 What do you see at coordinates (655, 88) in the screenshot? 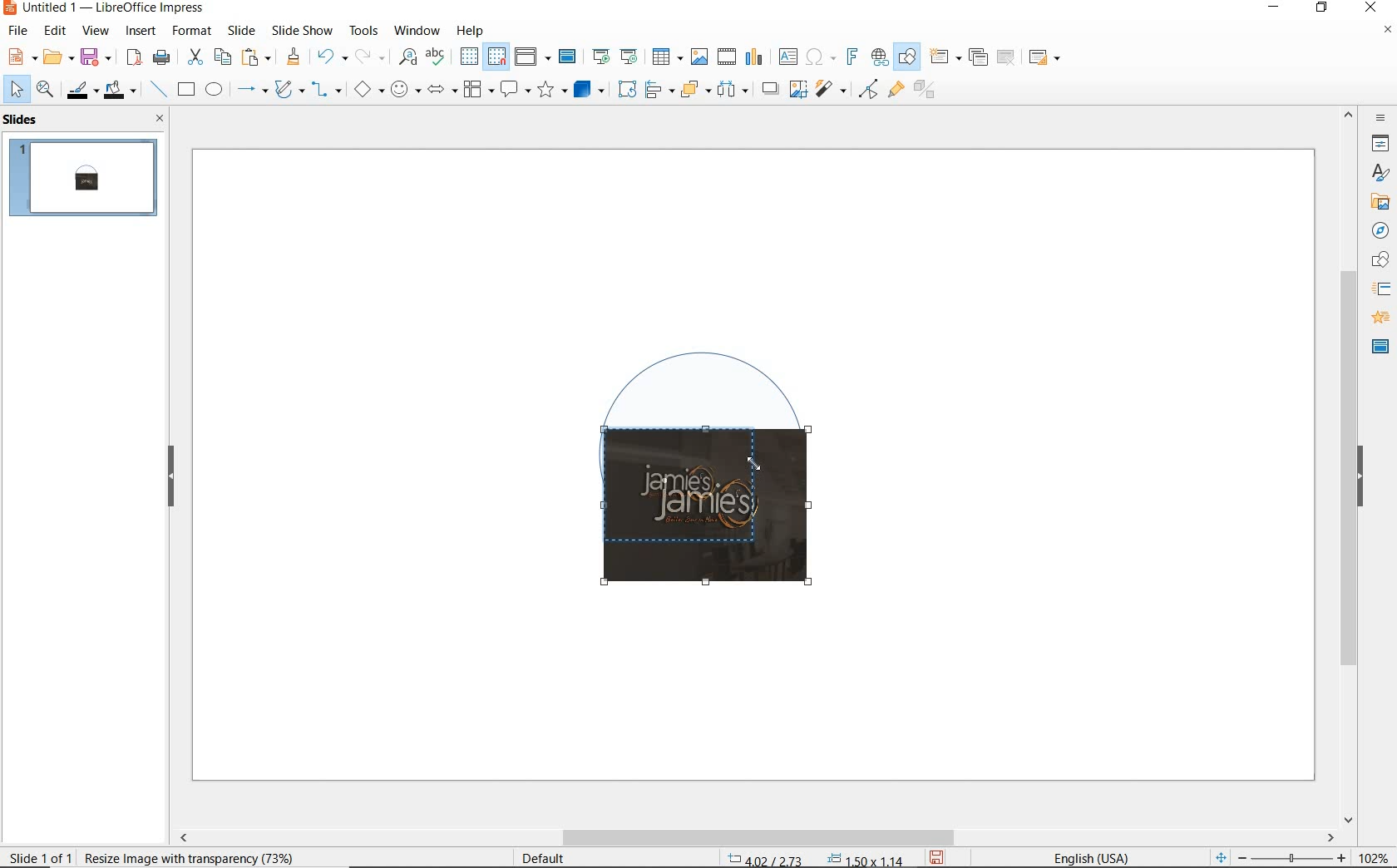
I see `align objects` at bounding box center [655, 88].